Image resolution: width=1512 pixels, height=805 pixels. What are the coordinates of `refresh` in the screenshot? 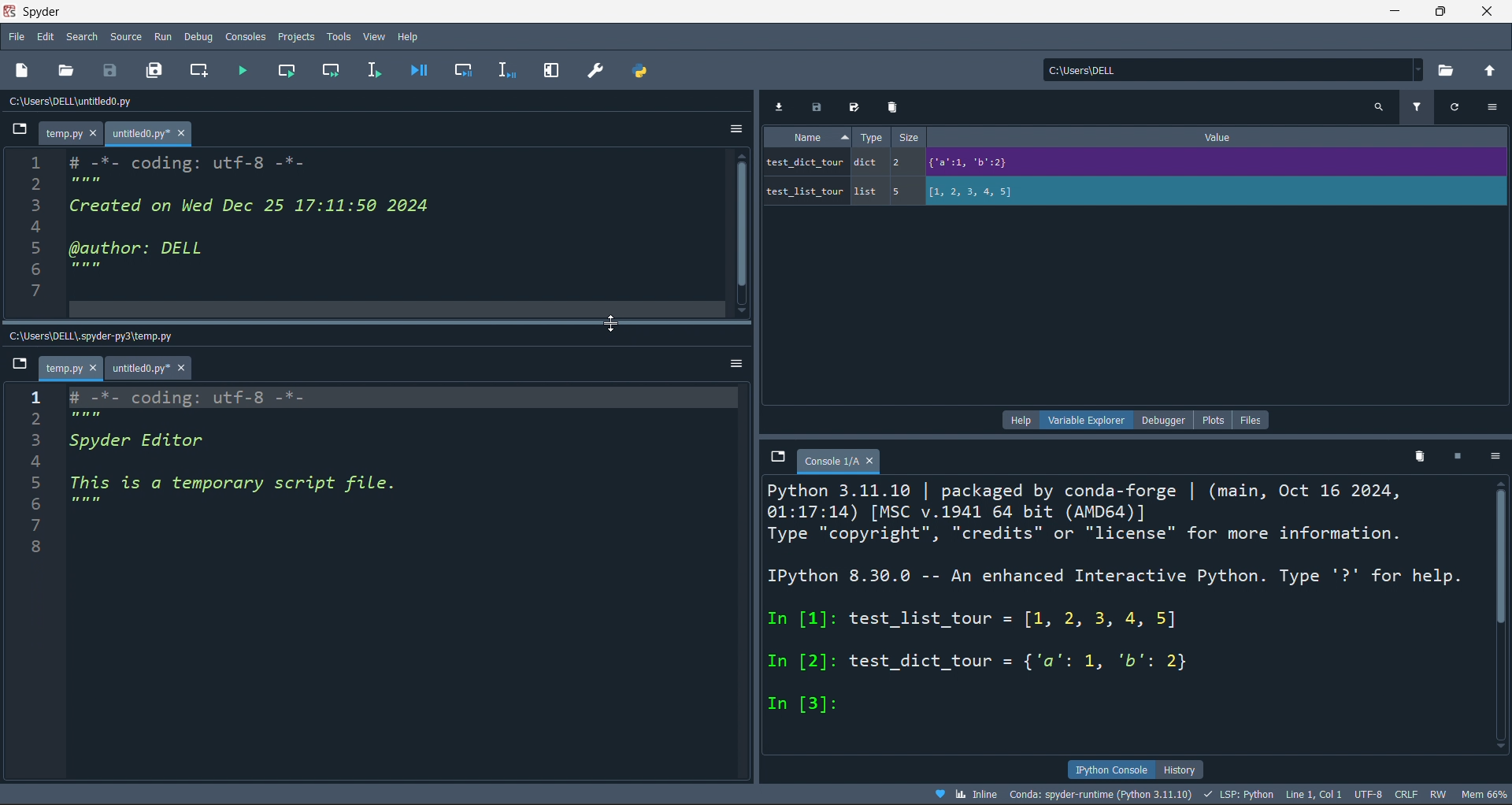 It's located at (1459, 108).